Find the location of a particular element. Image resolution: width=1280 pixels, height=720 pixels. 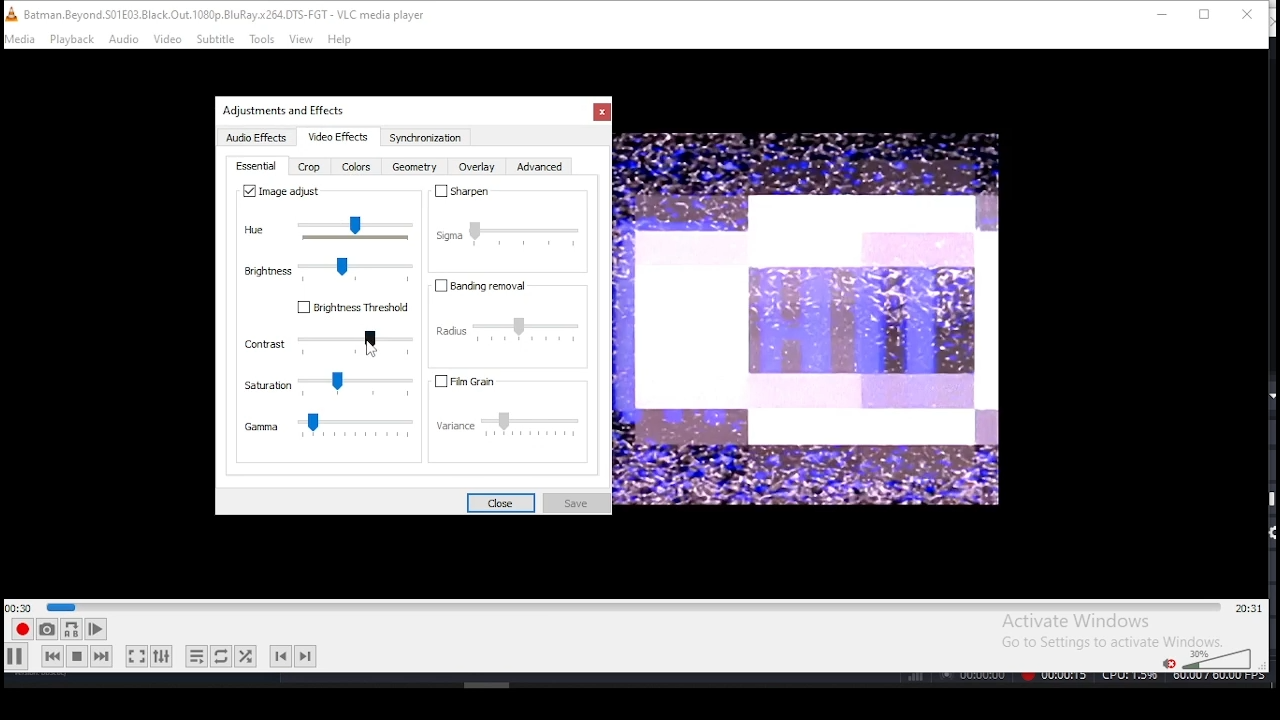

geometry is located at coordinates (413, 170).